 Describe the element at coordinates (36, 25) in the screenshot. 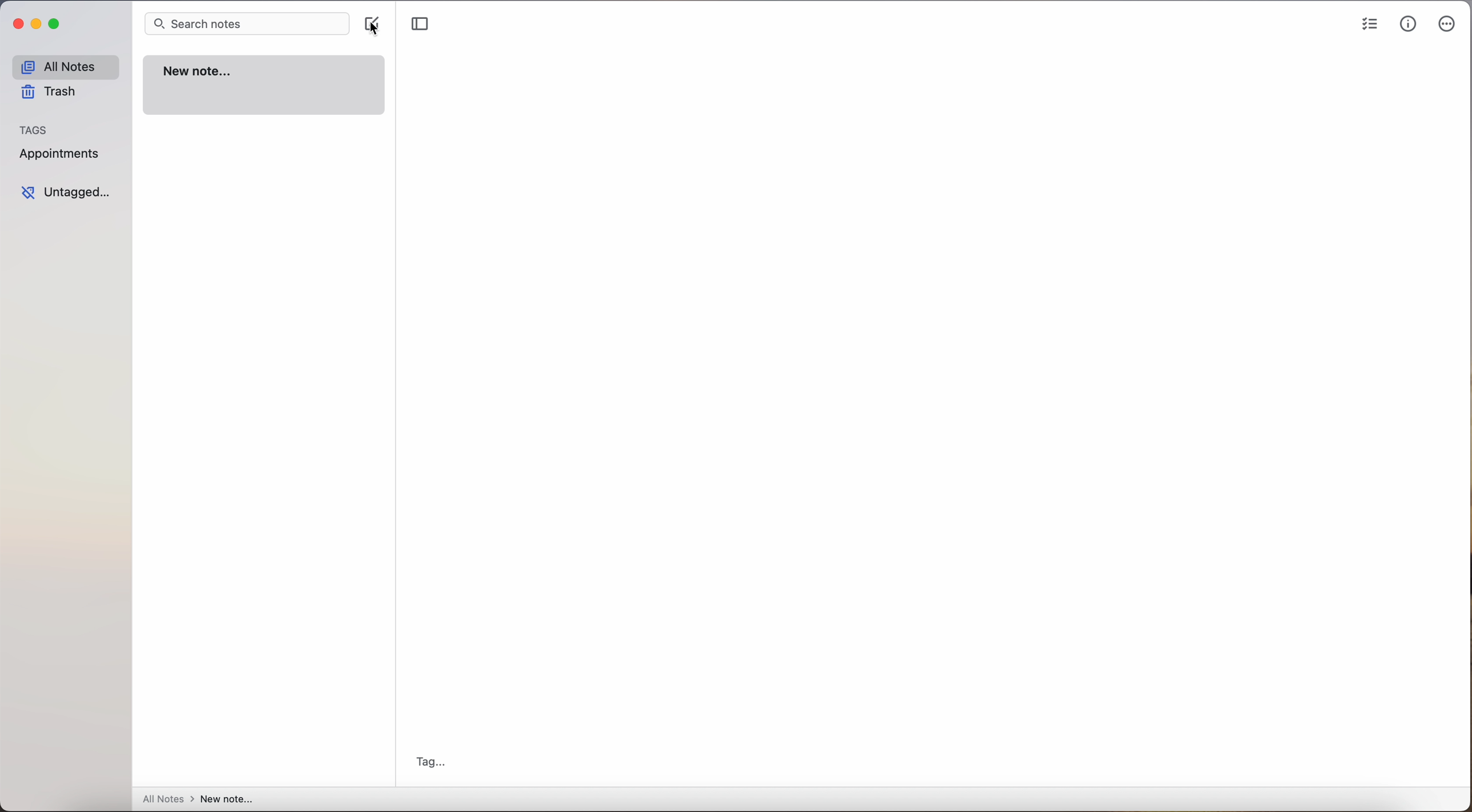

I see `minimize Simplenote` at that location.